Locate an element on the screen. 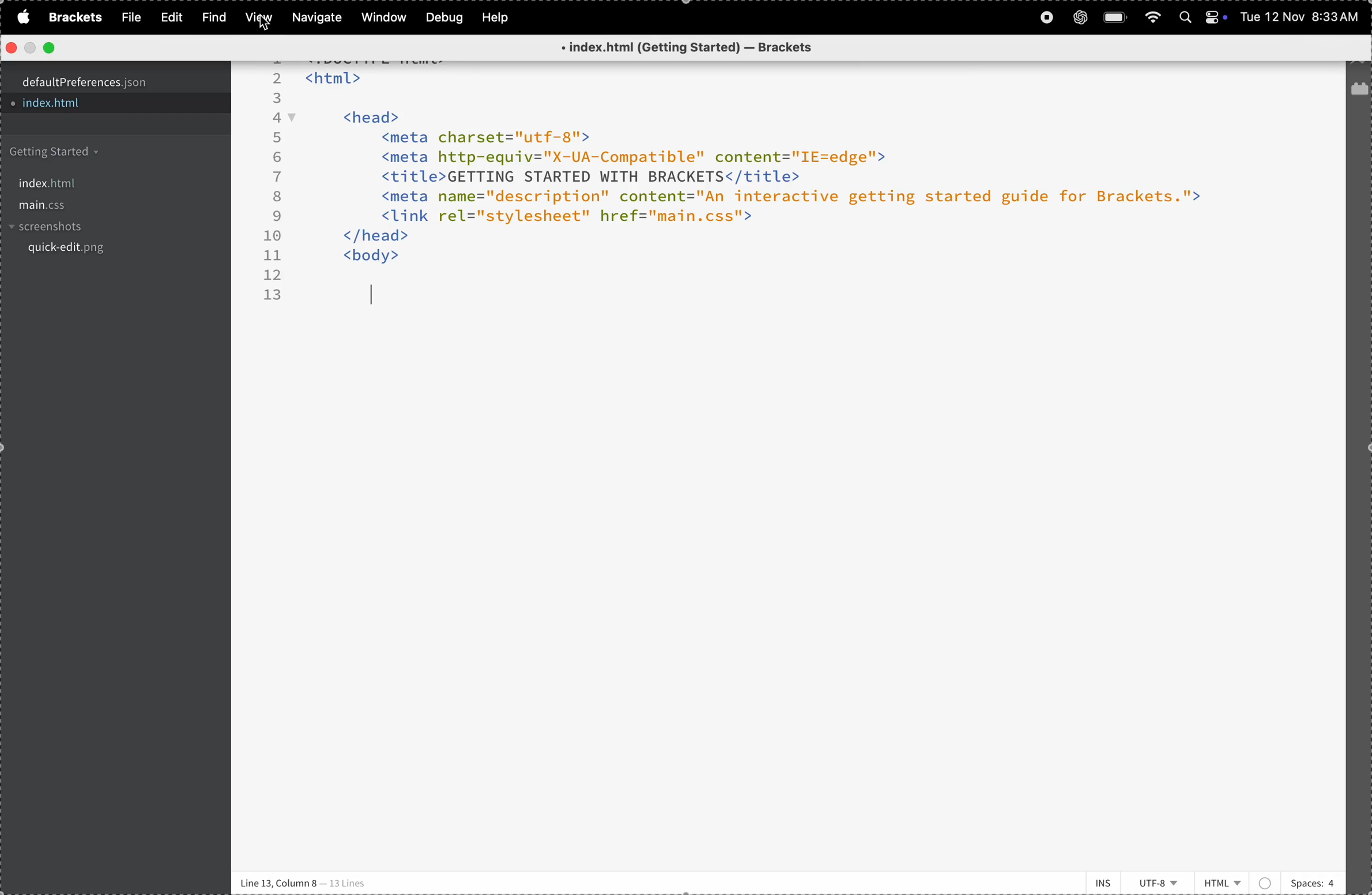  record is located at coordinates (1046, 18).